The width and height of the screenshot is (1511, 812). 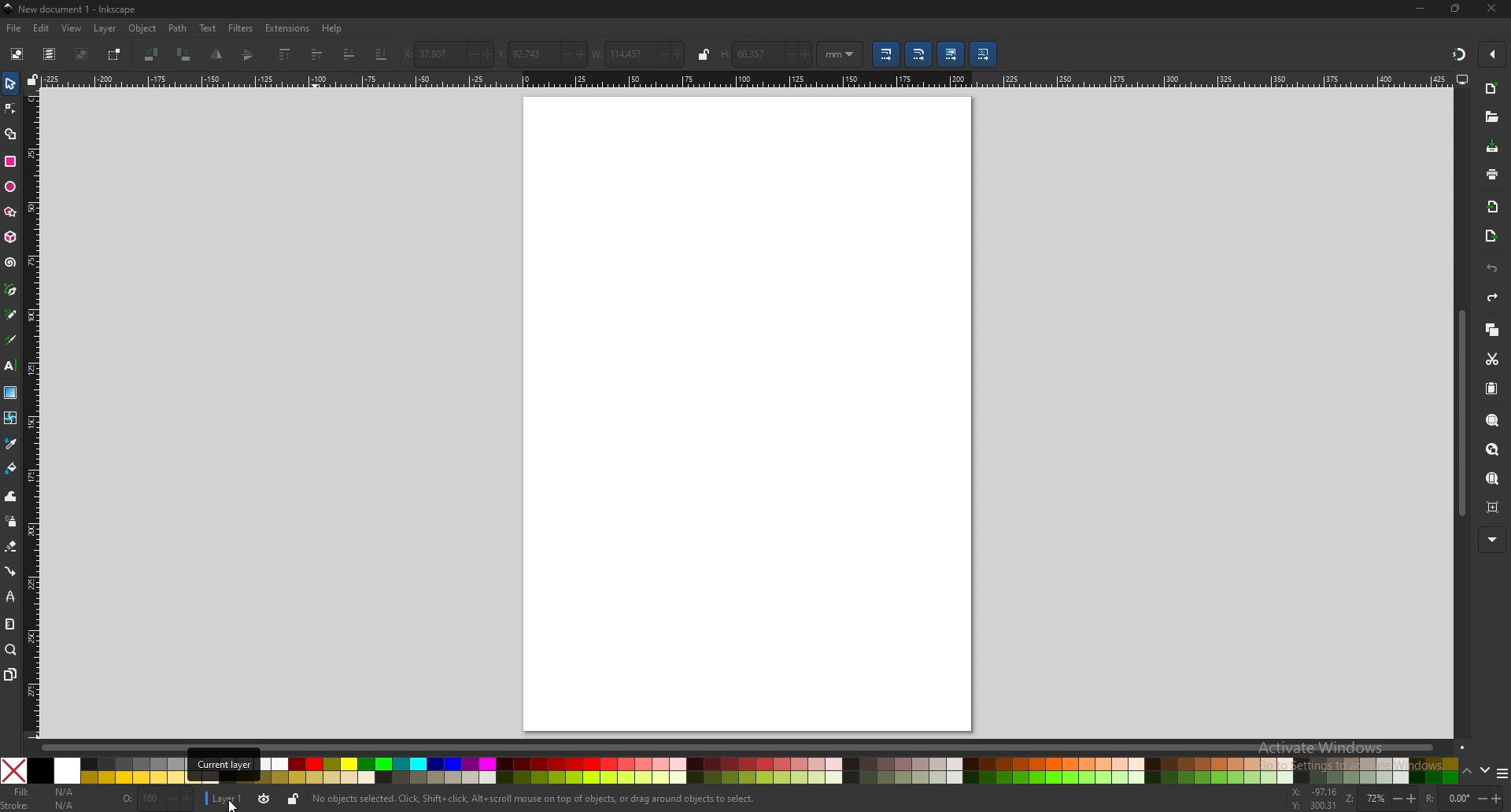 What do you see at coordinates (11, 596) in the screenshot?
I see `lpe` at bounding box center [11, 596].